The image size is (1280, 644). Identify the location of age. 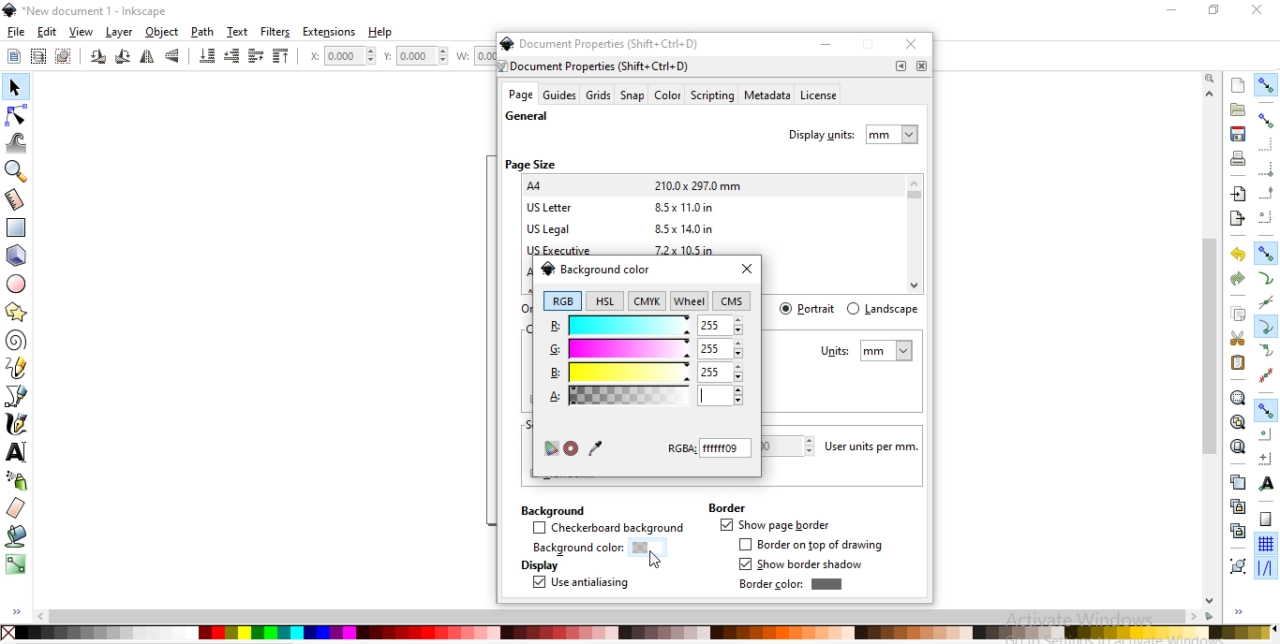
(520, 95).